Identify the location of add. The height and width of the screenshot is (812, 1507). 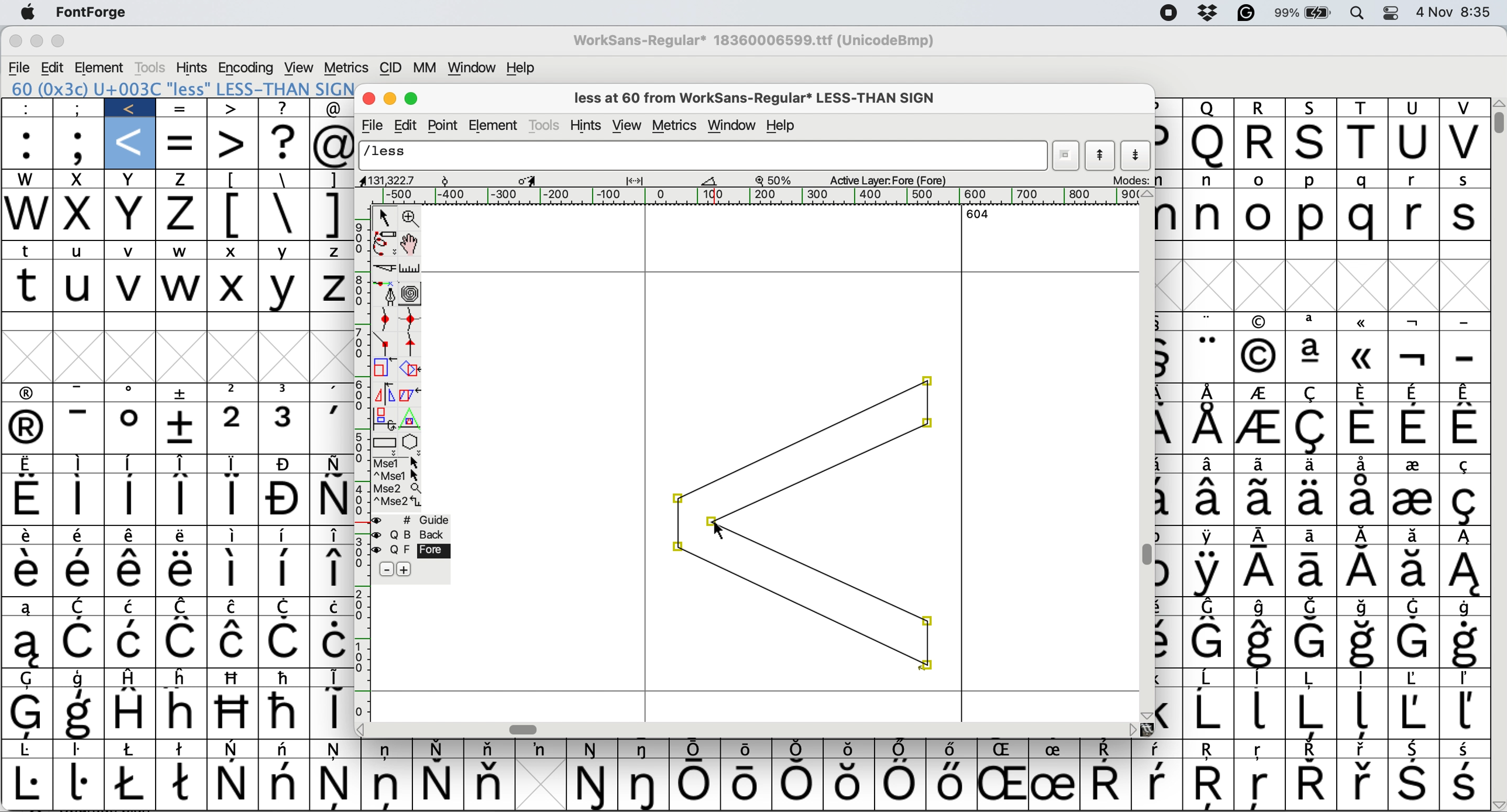
(405, 569).